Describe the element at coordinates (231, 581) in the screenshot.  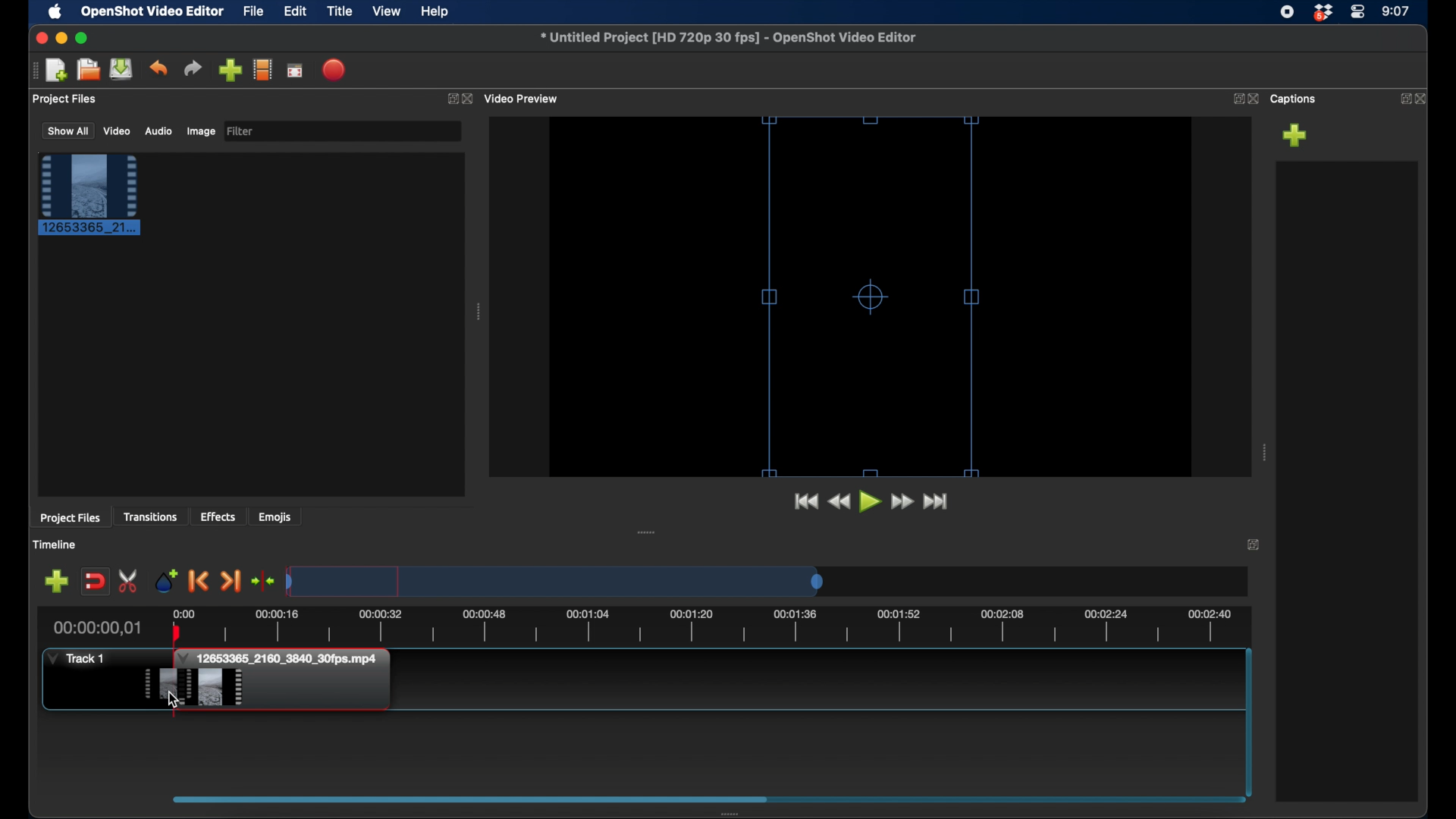
I see `next marker` at that location.